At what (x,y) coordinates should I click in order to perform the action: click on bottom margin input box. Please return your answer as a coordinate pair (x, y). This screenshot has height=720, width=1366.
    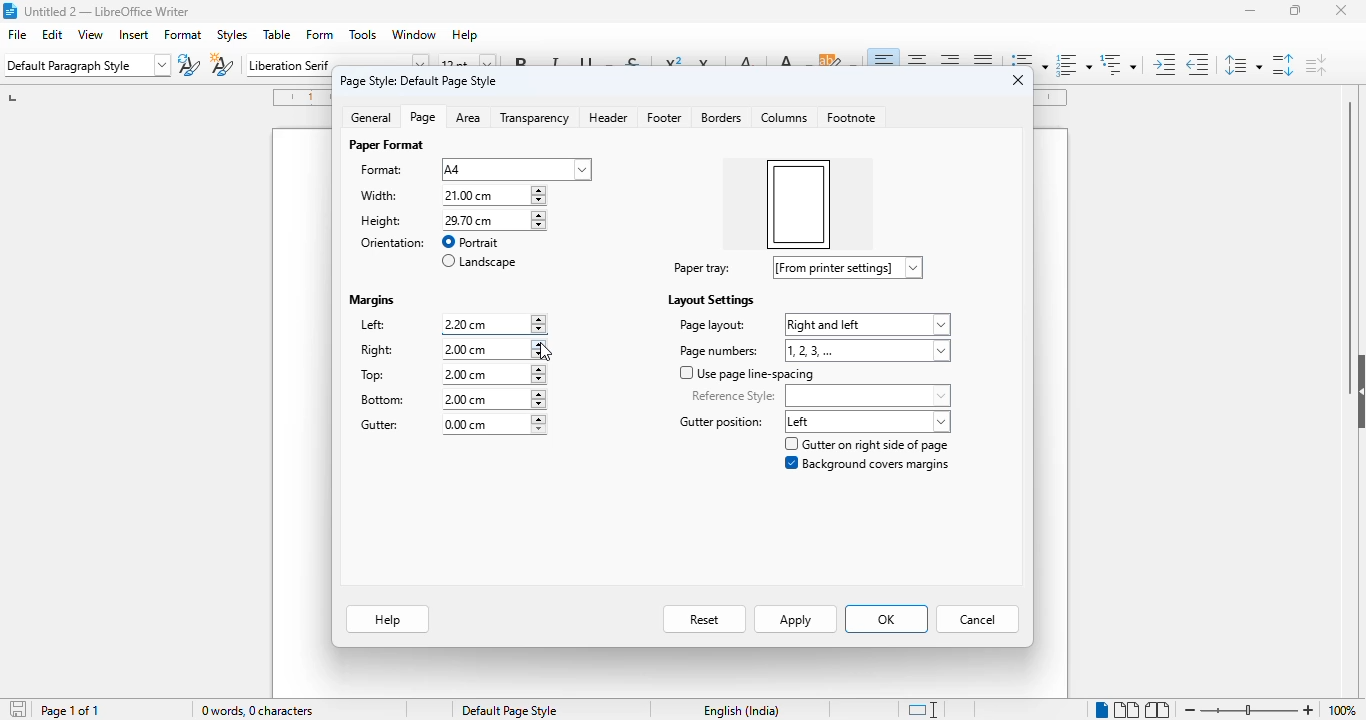
    Looking at the image, I should click on (482, 400).